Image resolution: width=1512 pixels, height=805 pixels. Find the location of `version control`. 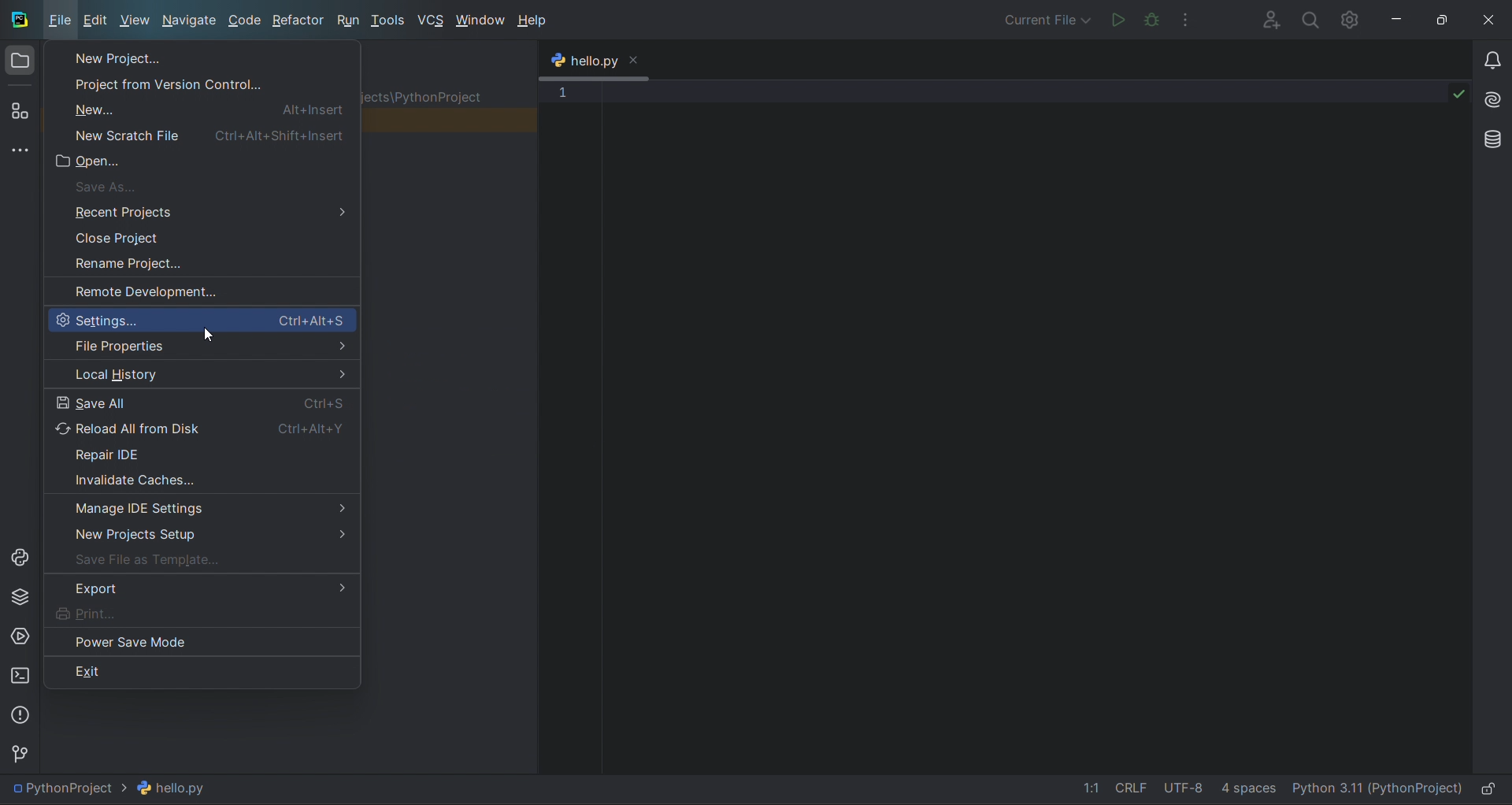

version control is located at coordinates (200, 81).